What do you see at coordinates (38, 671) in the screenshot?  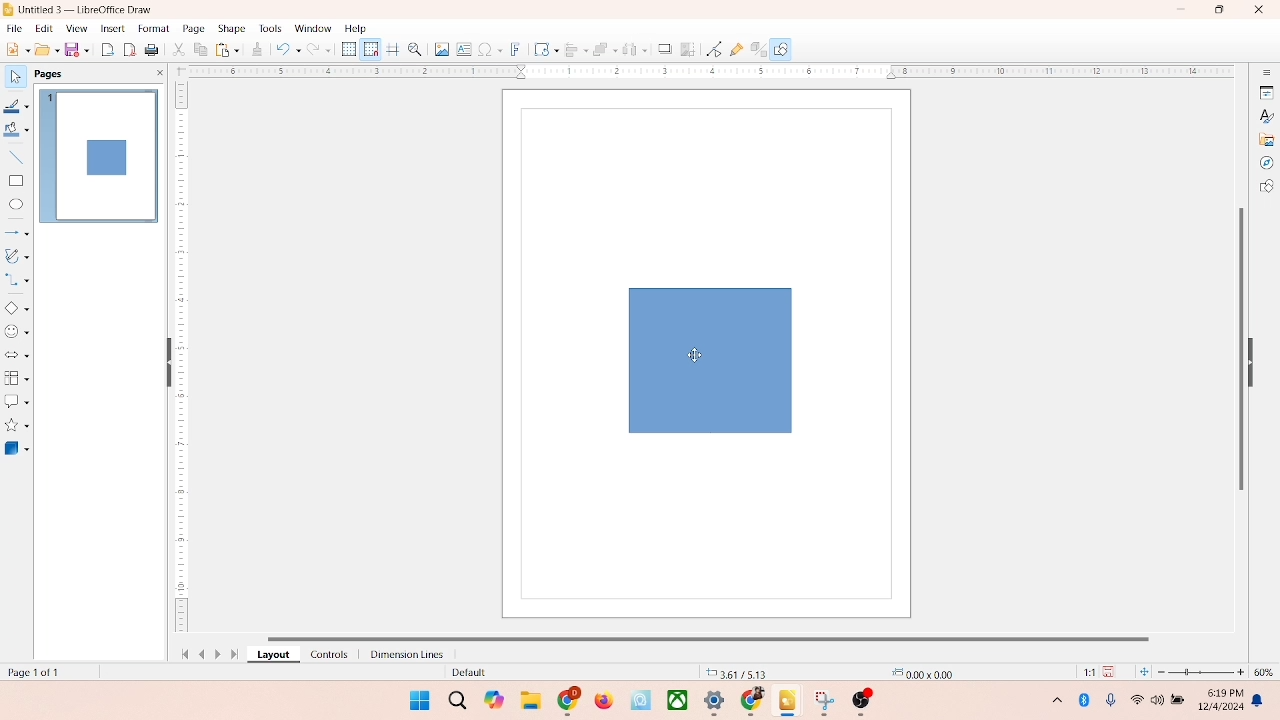 I see `page number` at bounding box center [38, 671].